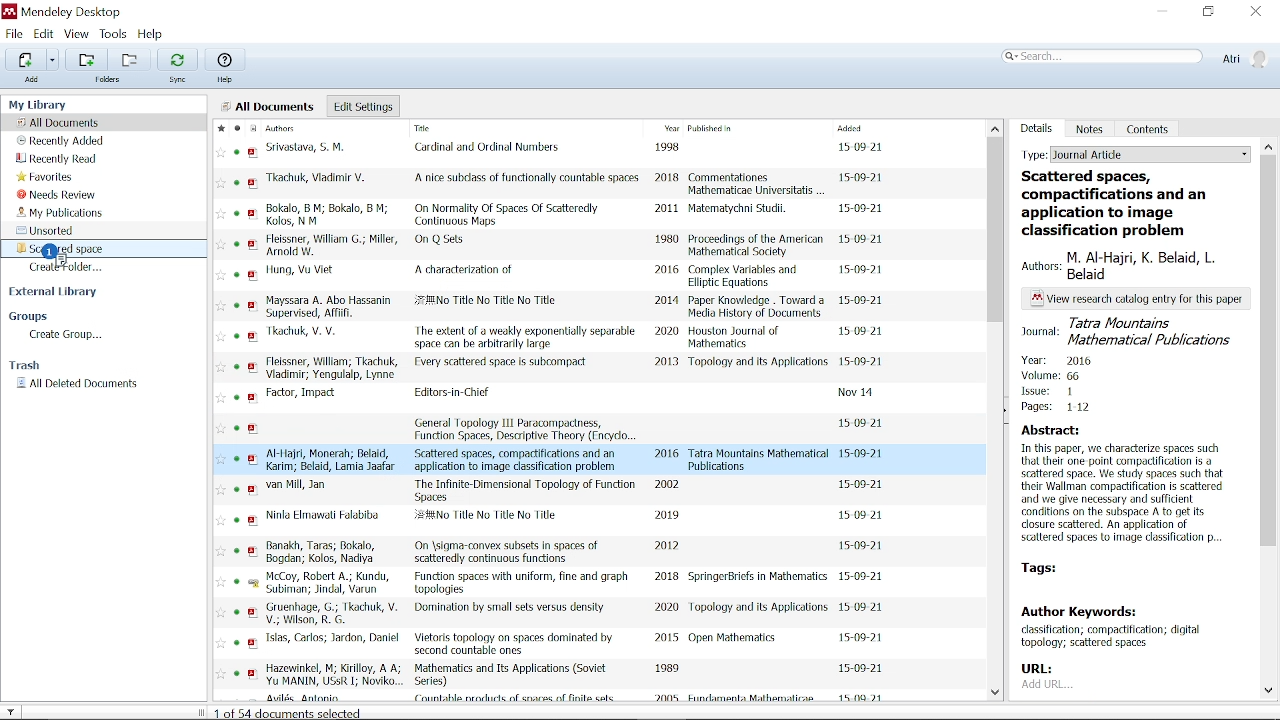 This screenshot has width=1280, height=720. What do you see at coordinates (509, 610) in the screenshot?
I see `title` at bounding box center [509, 610].